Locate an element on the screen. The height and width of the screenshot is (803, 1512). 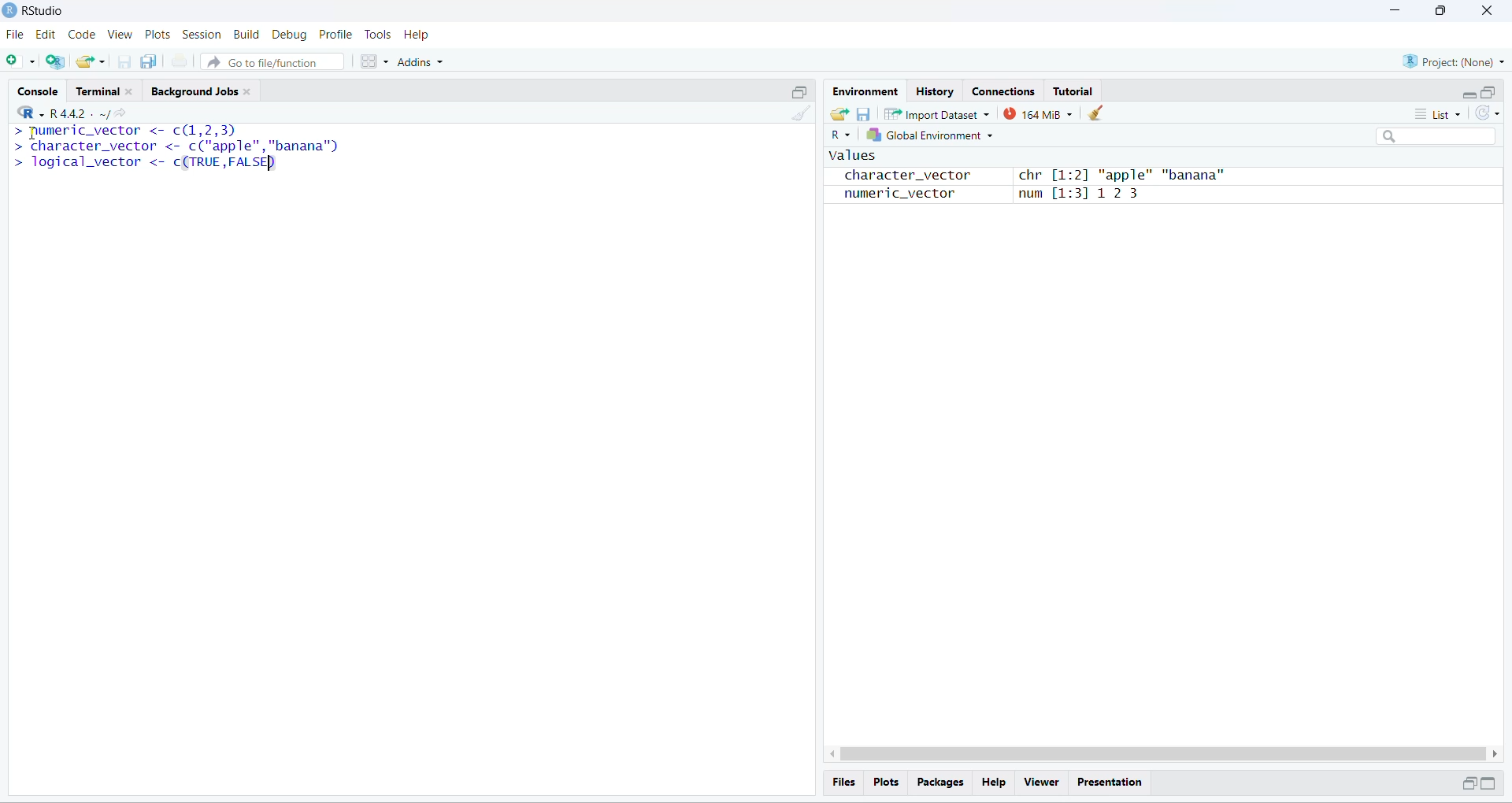
Console is located at coordinates (37, 89).